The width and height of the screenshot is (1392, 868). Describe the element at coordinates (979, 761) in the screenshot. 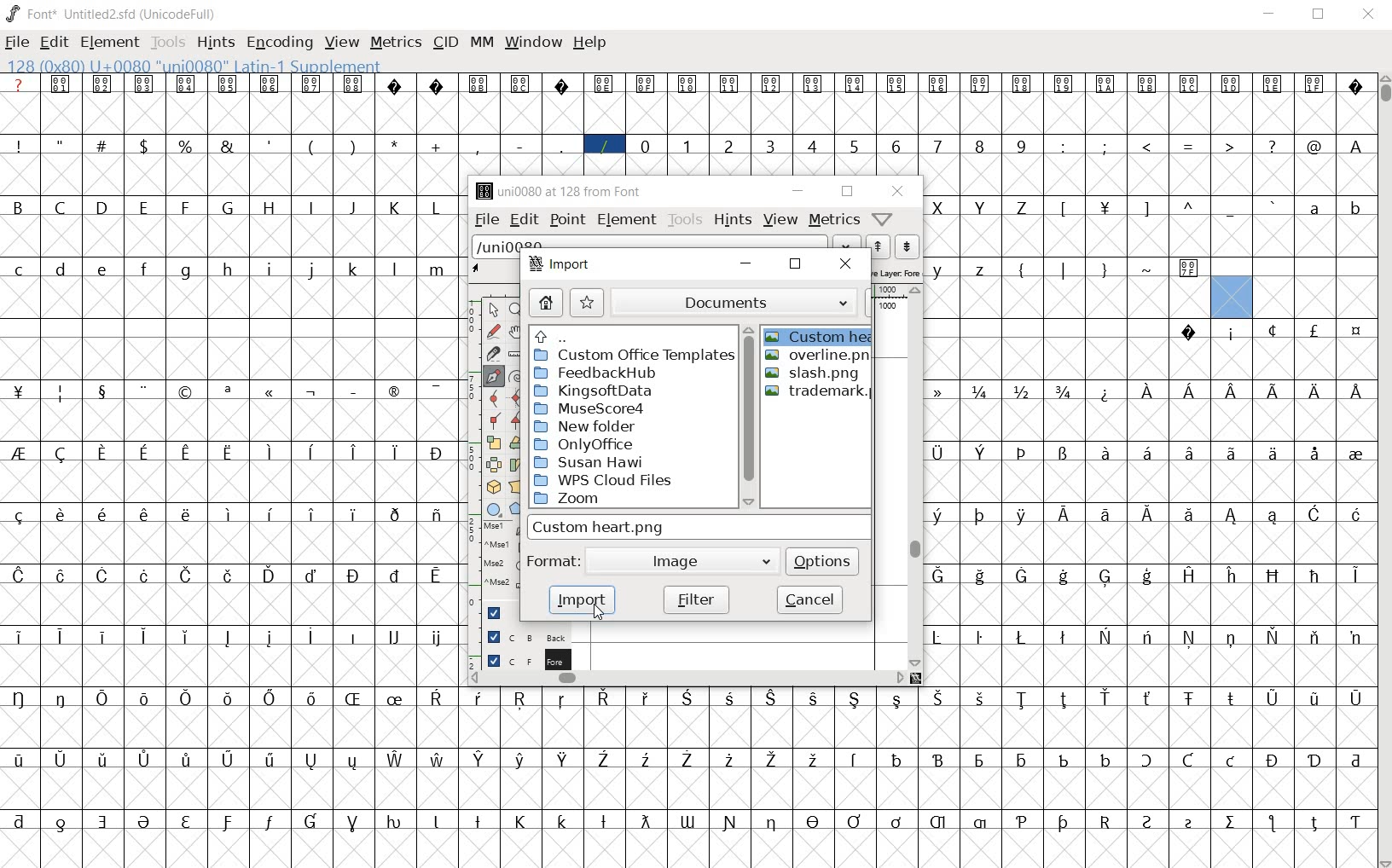

I see `glyph` at that location.